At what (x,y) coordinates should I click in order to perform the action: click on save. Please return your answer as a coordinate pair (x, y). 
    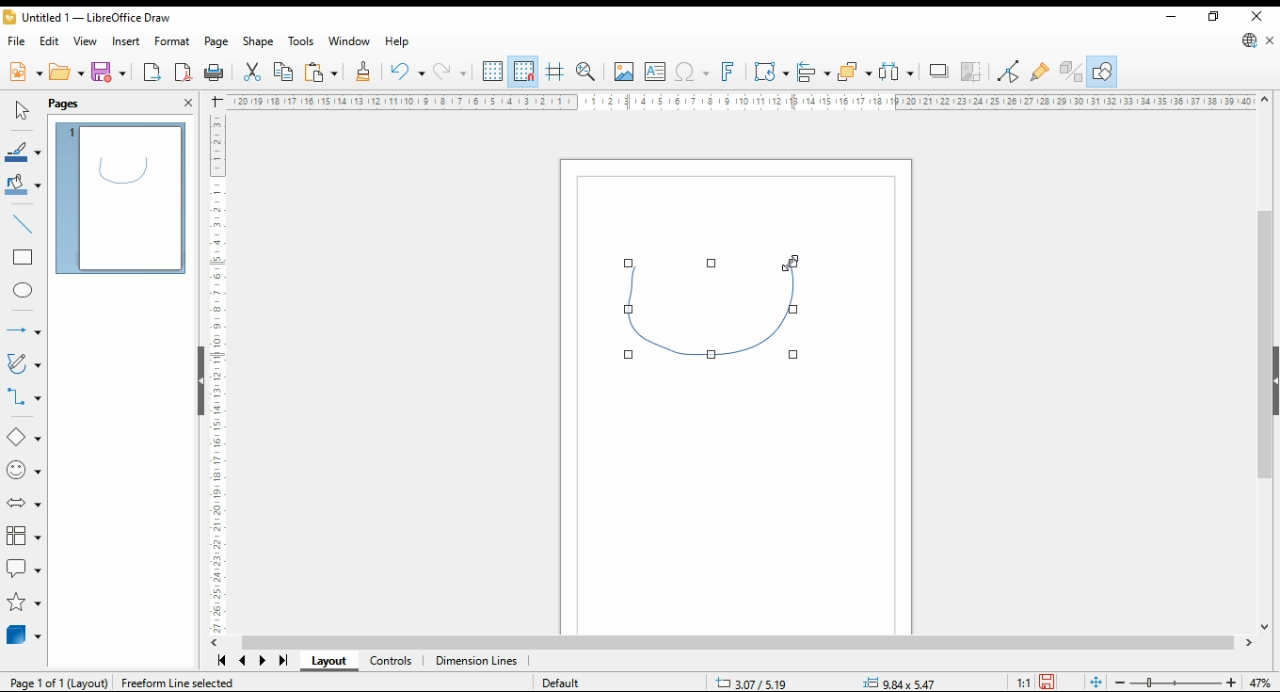
    Looking at the image, I should click on (110, 72).